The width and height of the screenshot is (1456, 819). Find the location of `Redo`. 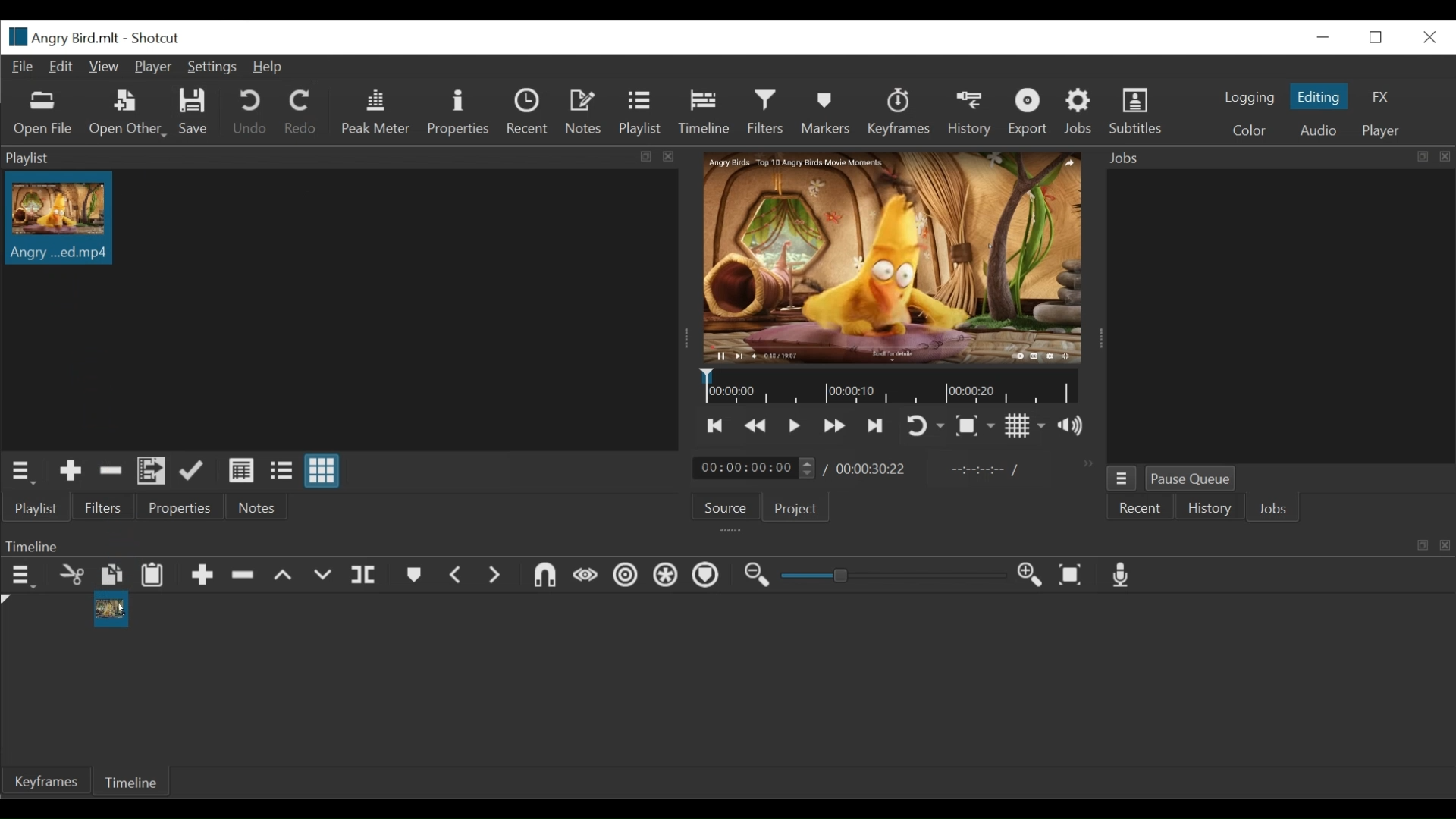

Redo is located at coordinates (302, 111).